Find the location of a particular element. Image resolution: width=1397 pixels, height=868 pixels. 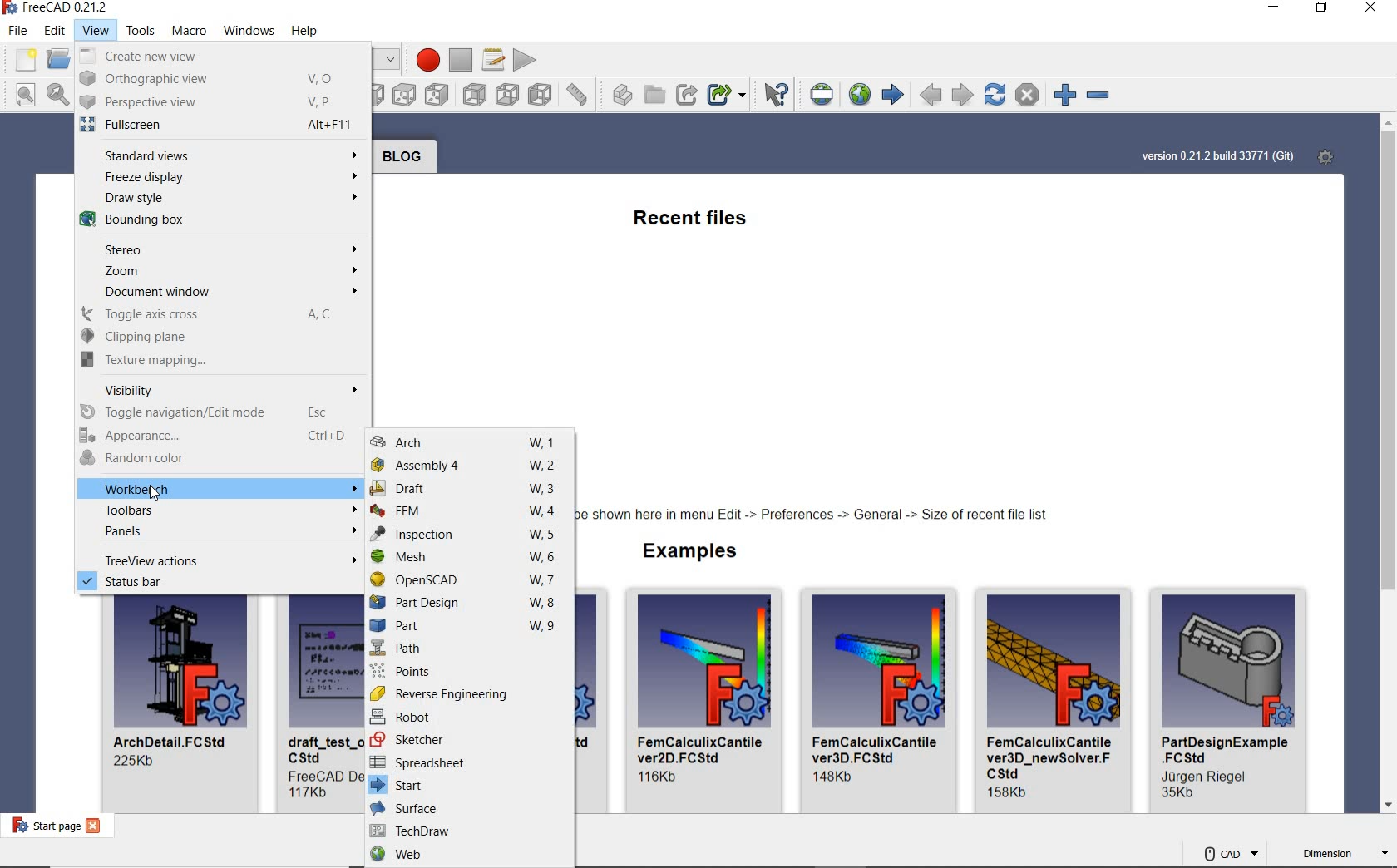

bounding box is located at coordinates (223, 222).